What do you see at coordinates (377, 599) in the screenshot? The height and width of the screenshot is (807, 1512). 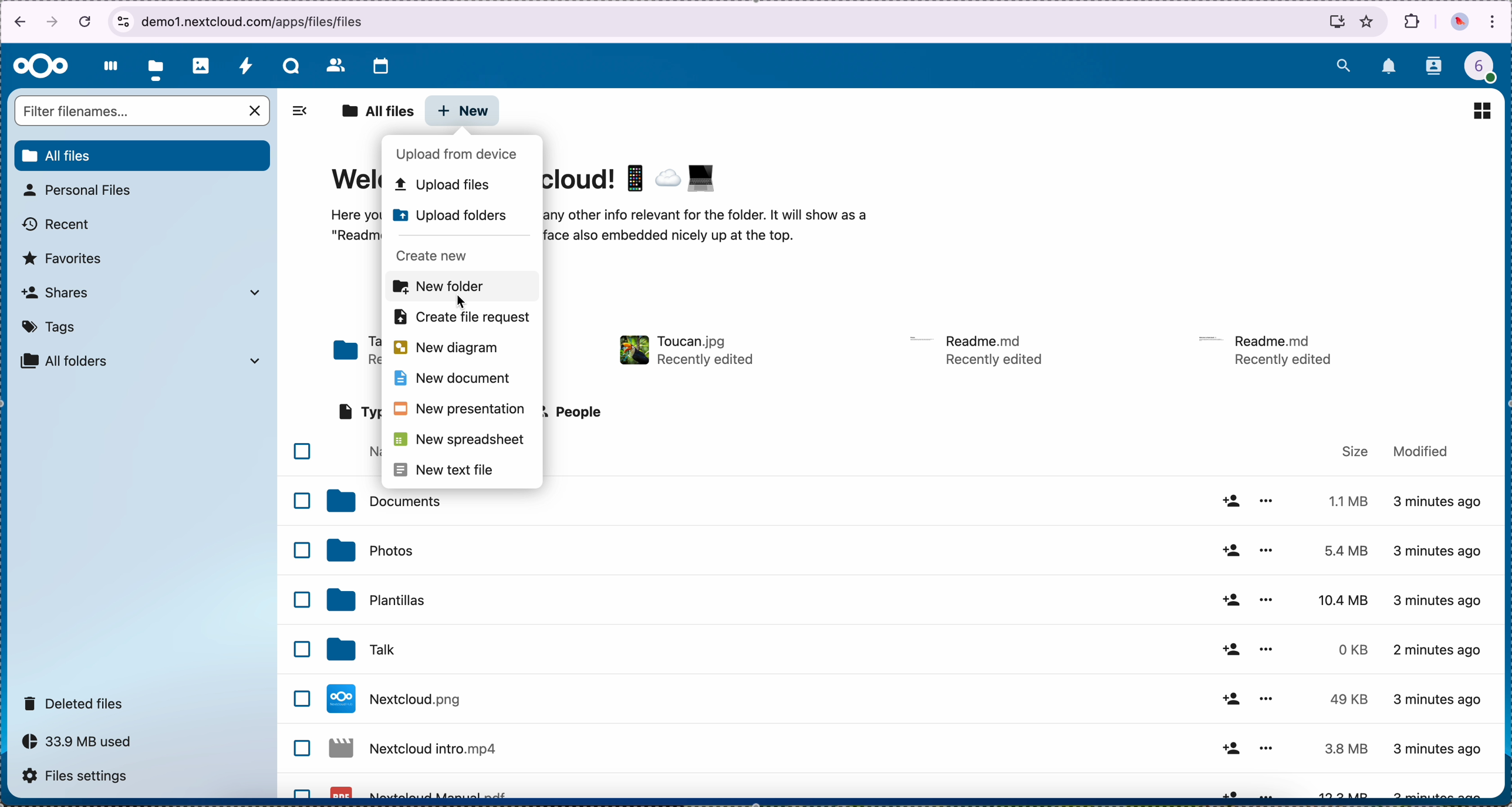 I see `templates` at bounding box center [377, 599].